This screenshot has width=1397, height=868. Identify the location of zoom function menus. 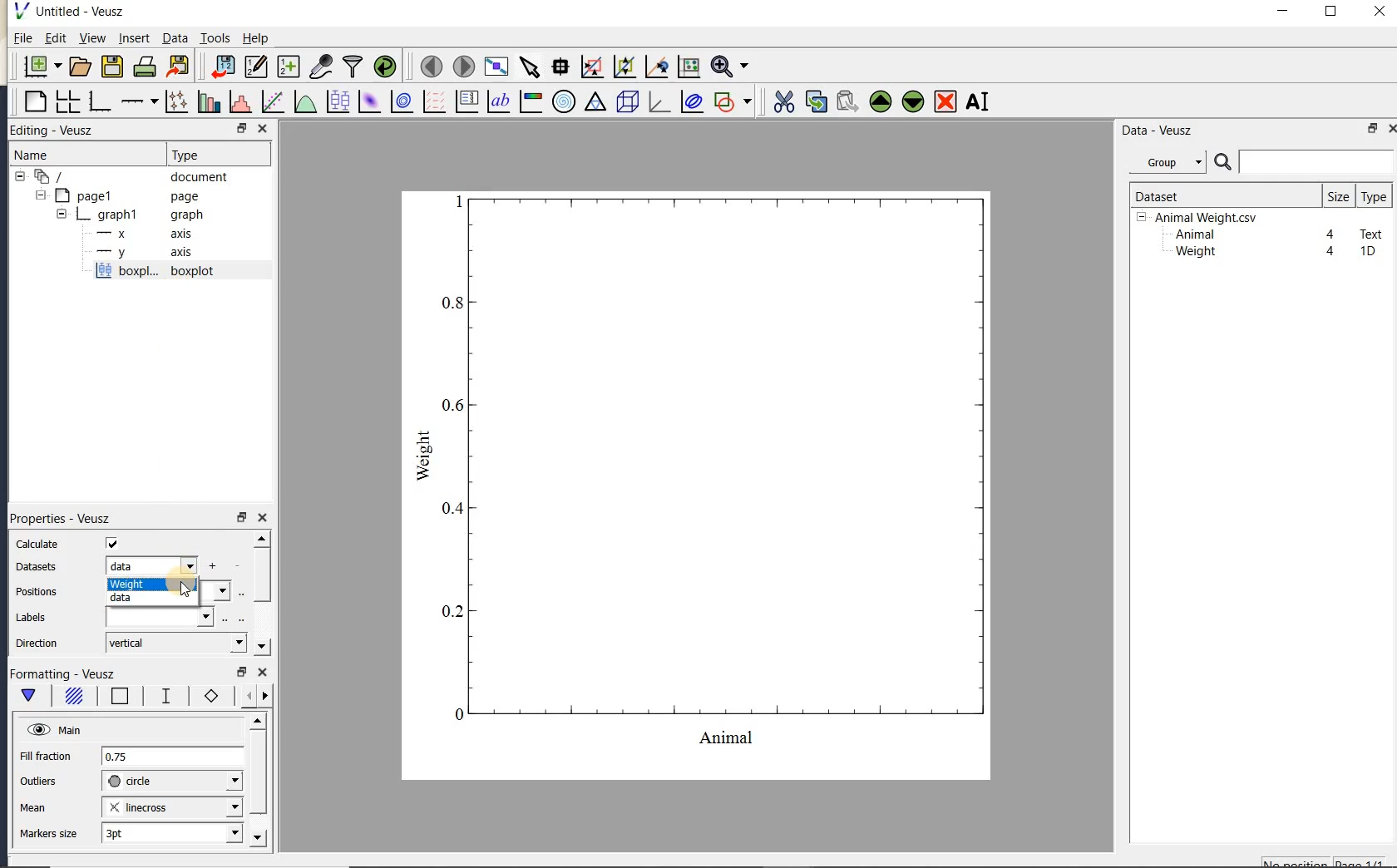
(729, 67).